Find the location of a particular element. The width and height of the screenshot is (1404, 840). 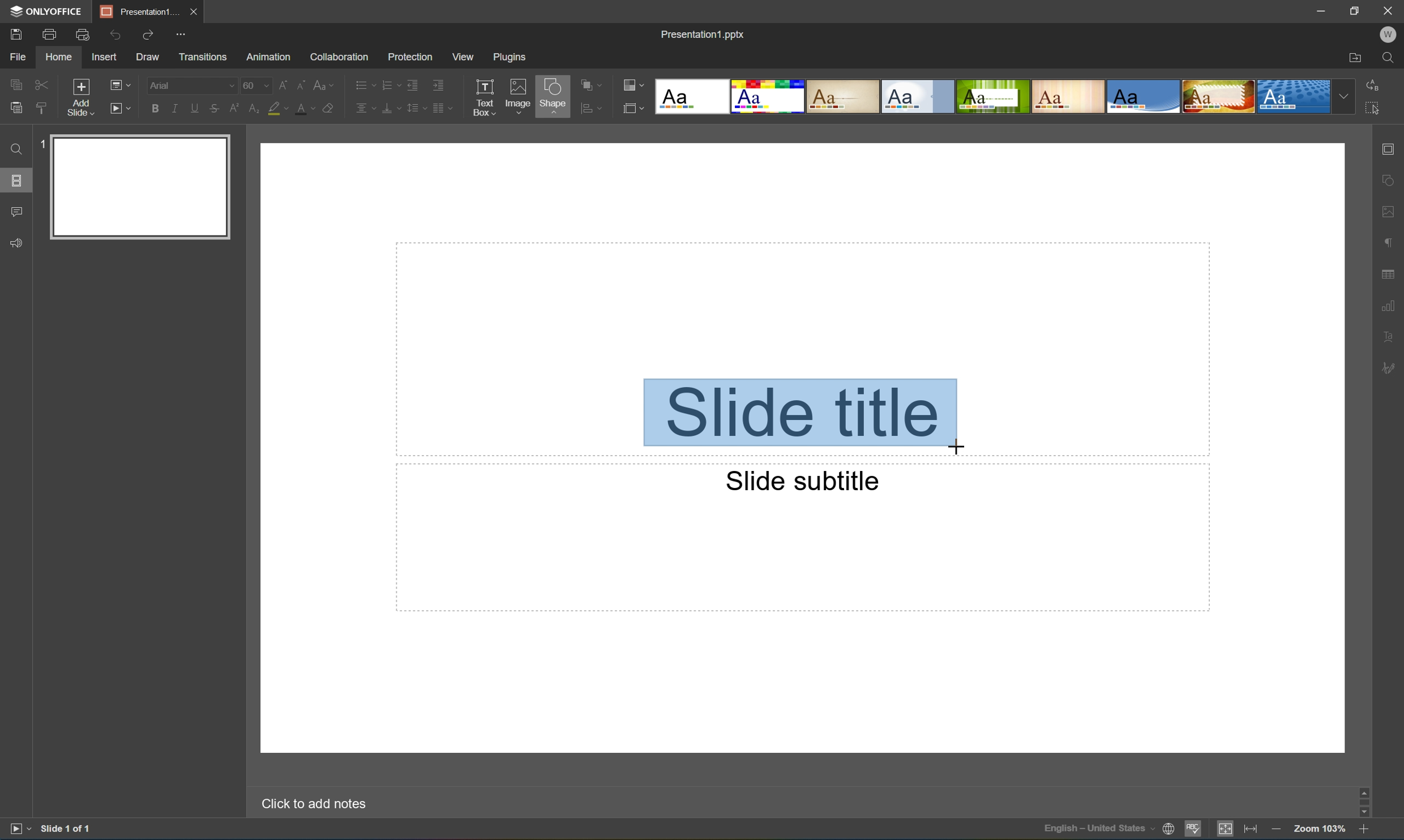

ONLYOFFICE is located at coordinates (48, 12).